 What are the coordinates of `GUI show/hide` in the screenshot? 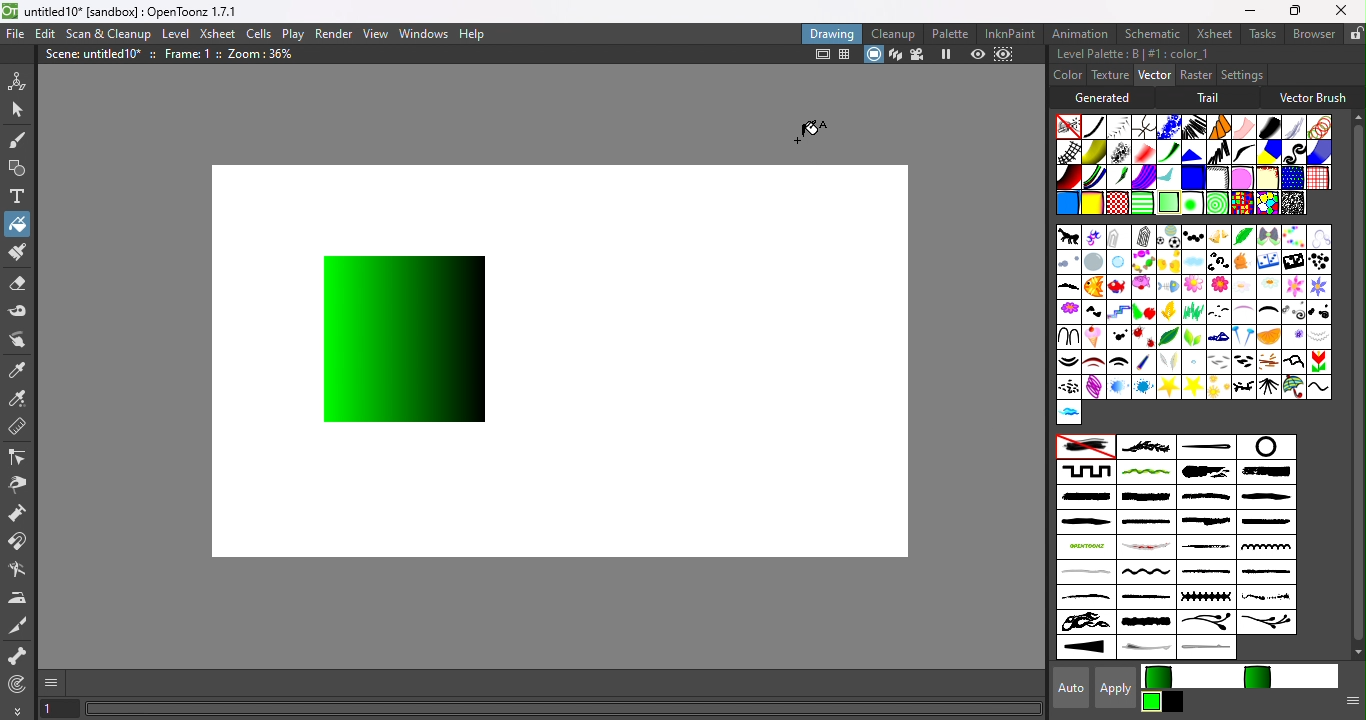 It's located at (53, 683).